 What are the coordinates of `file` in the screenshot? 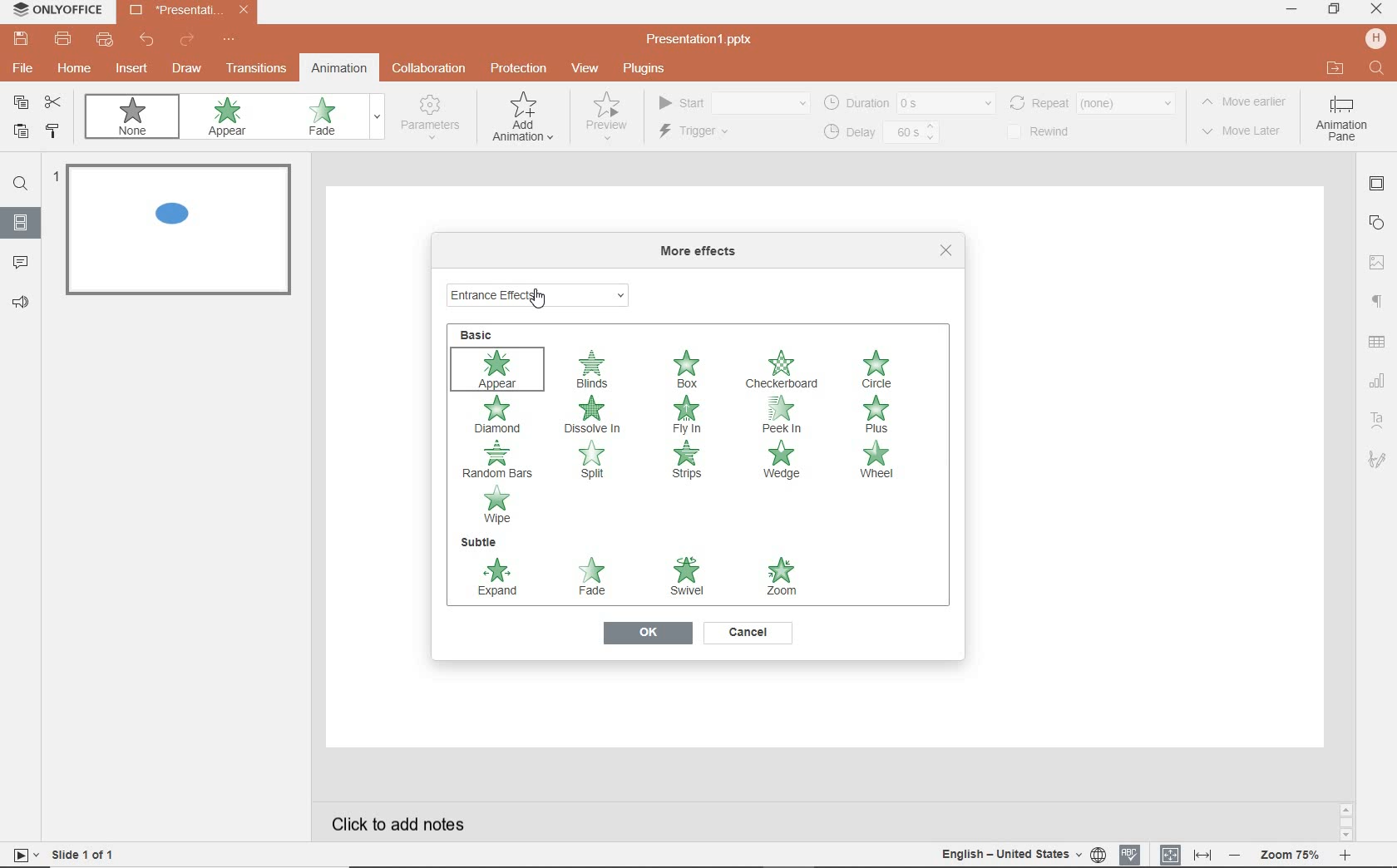 It's located at (21, 71).